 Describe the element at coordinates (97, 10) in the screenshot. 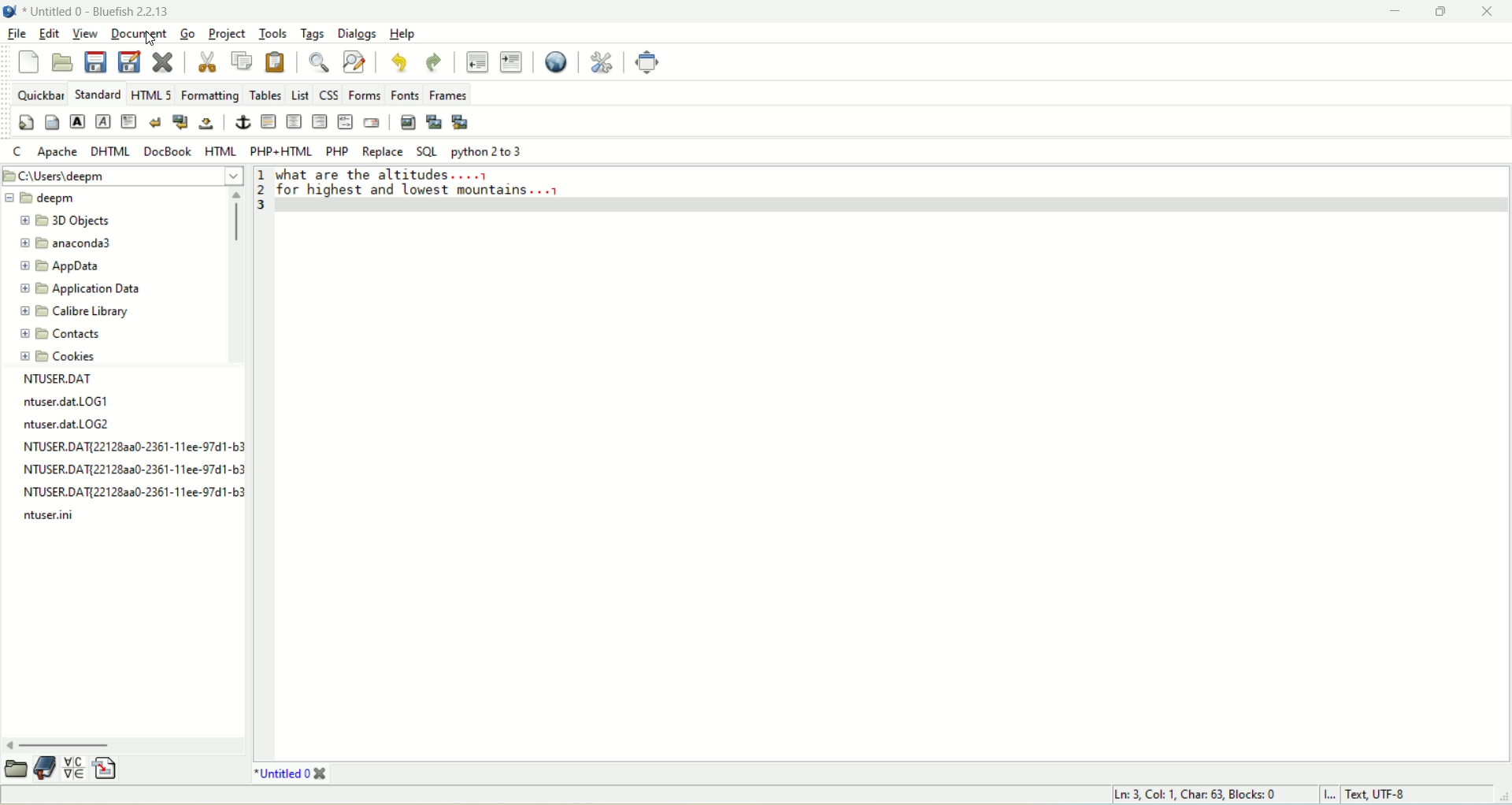

I see `title` at that location.